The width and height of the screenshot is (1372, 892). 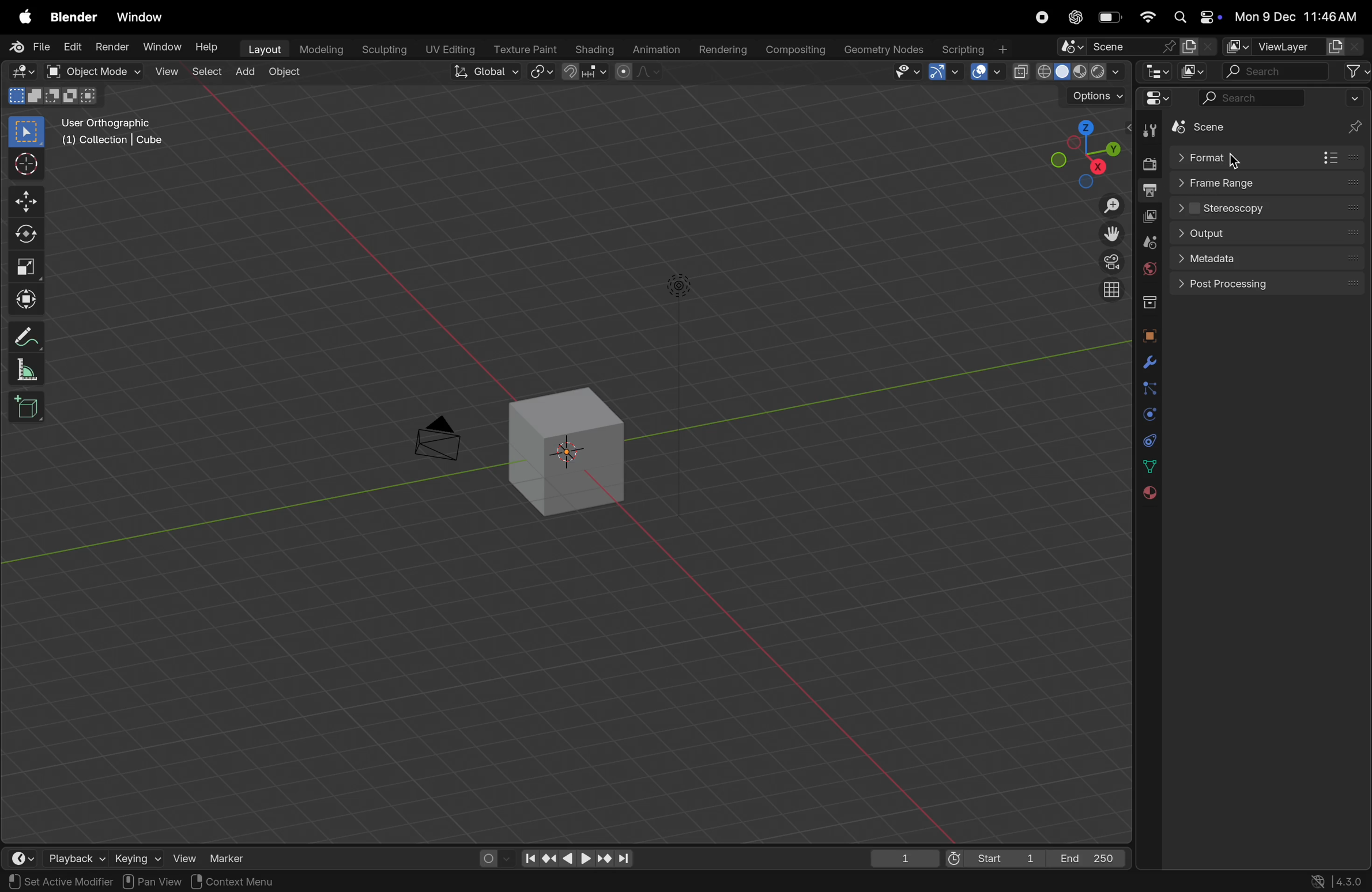 What do you see at coordinates (1107, 262) in the screenshot?
I see `persoective` at bounding box center [1107, 262].